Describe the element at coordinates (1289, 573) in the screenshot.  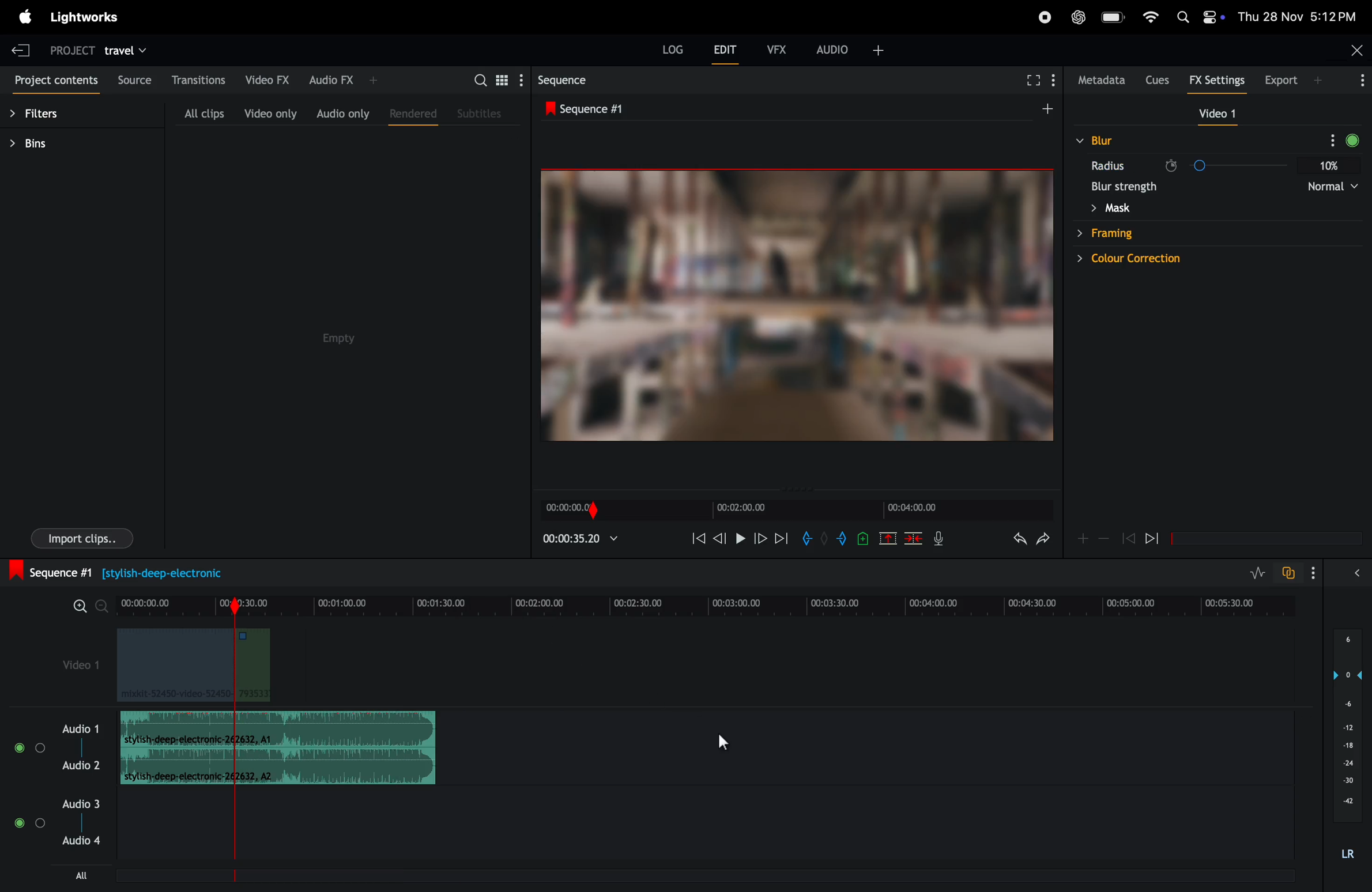
I see `toggle auto sync` at that location.